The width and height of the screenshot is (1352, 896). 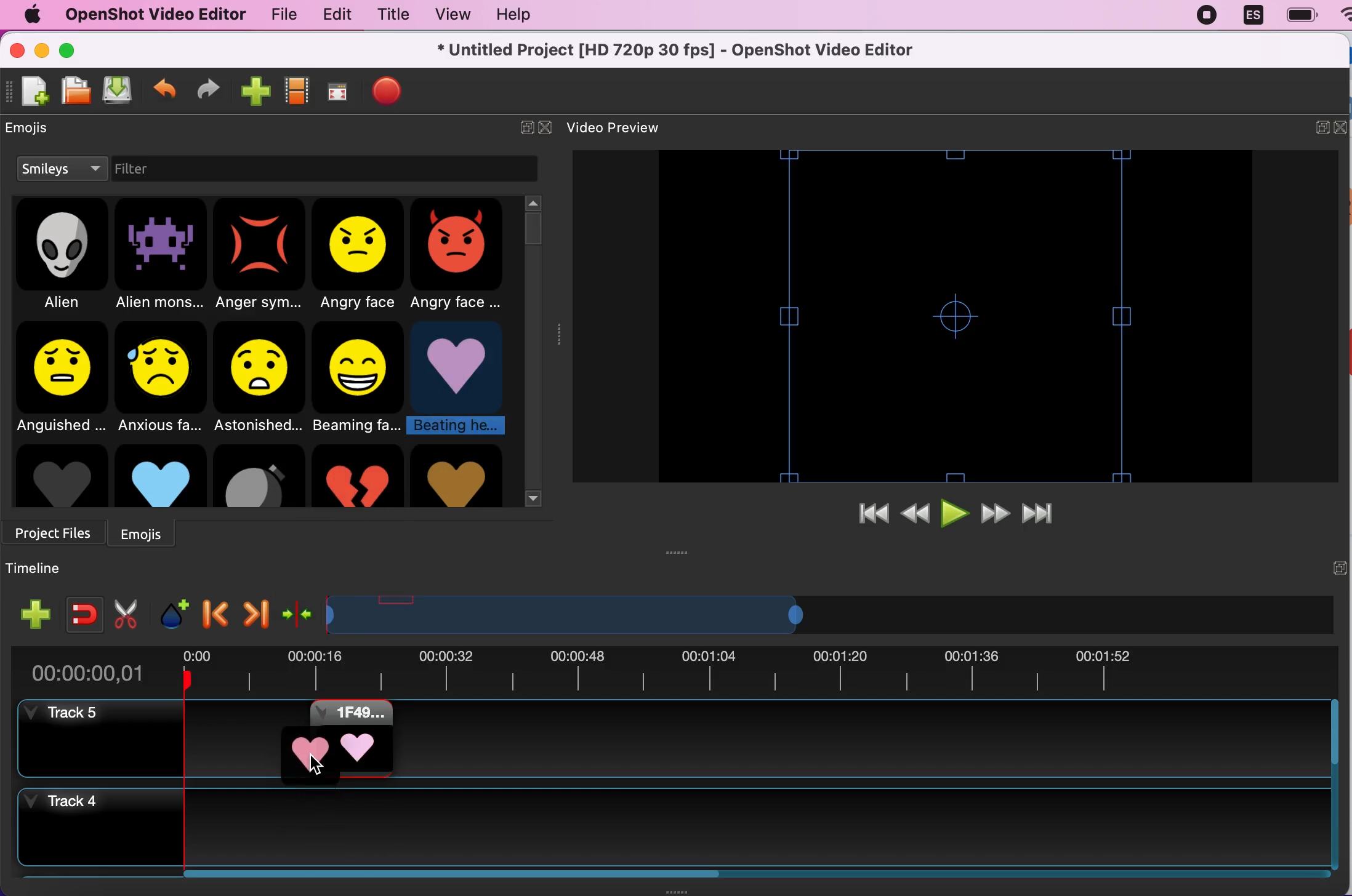 I want to click on Vertical slide bar, so click(x=1334, y=784).